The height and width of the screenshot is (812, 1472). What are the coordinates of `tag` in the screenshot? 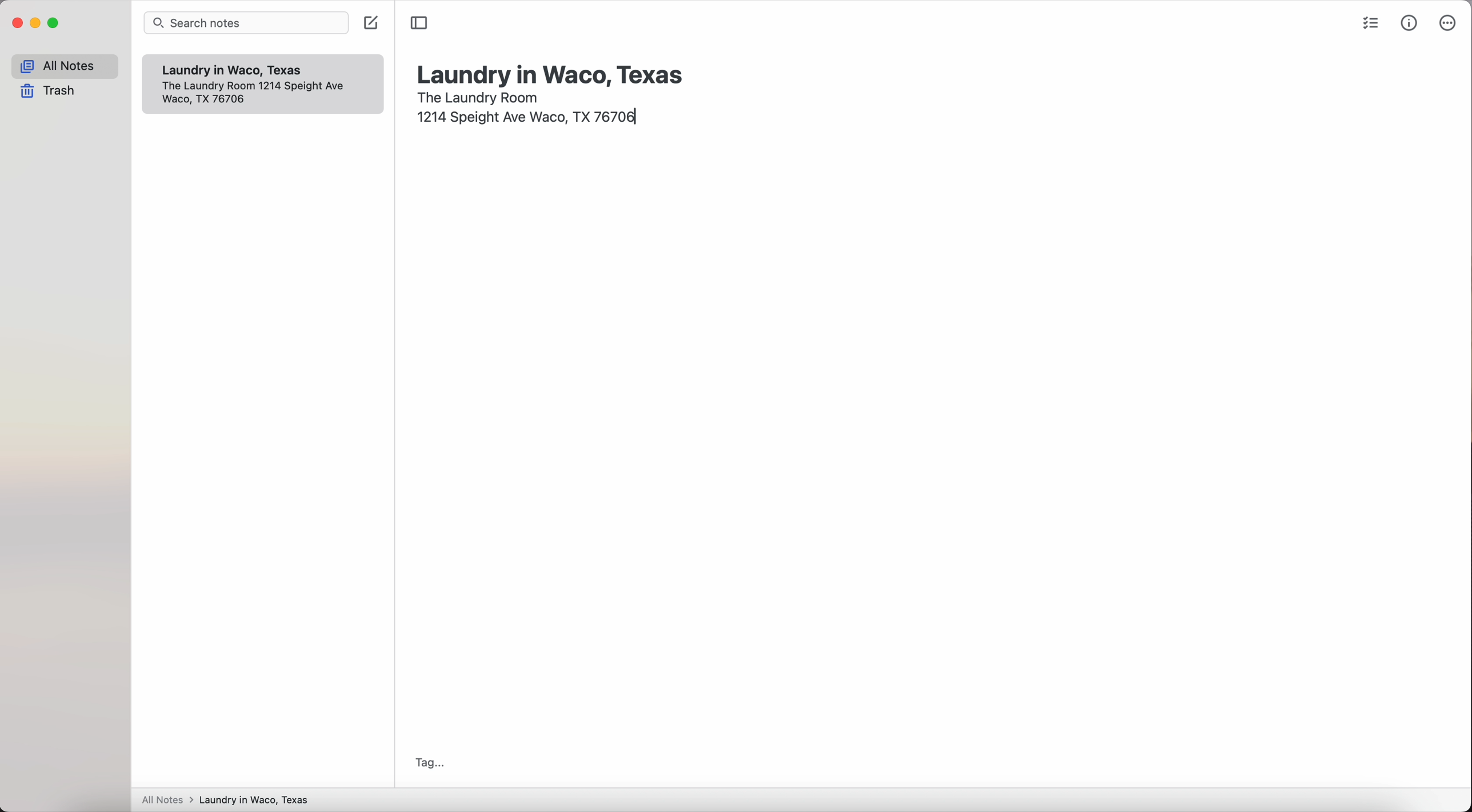 It's located at (426, 763).